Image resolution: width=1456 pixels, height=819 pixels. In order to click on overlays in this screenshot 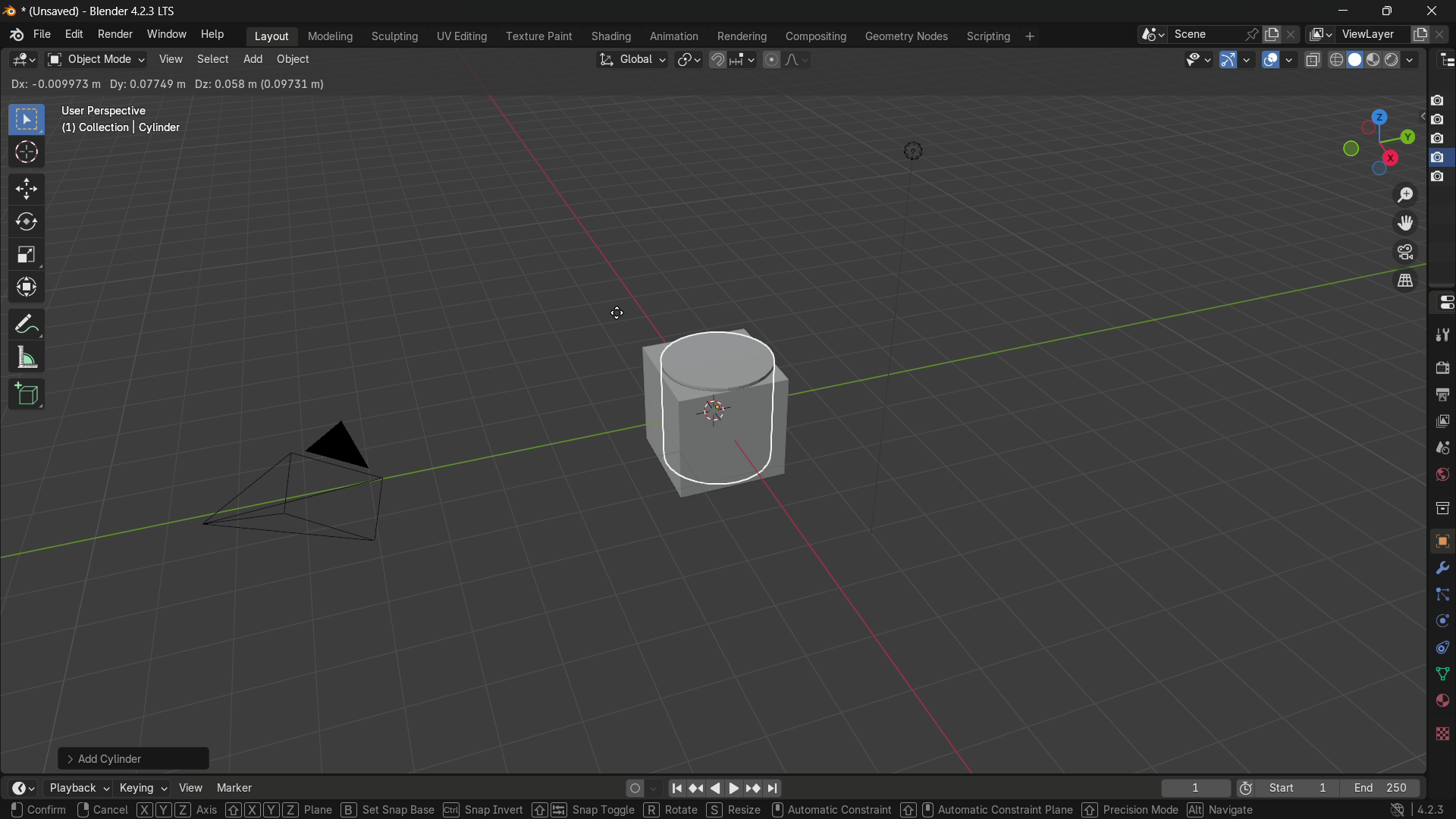, I will do `click(1292, 59)`.